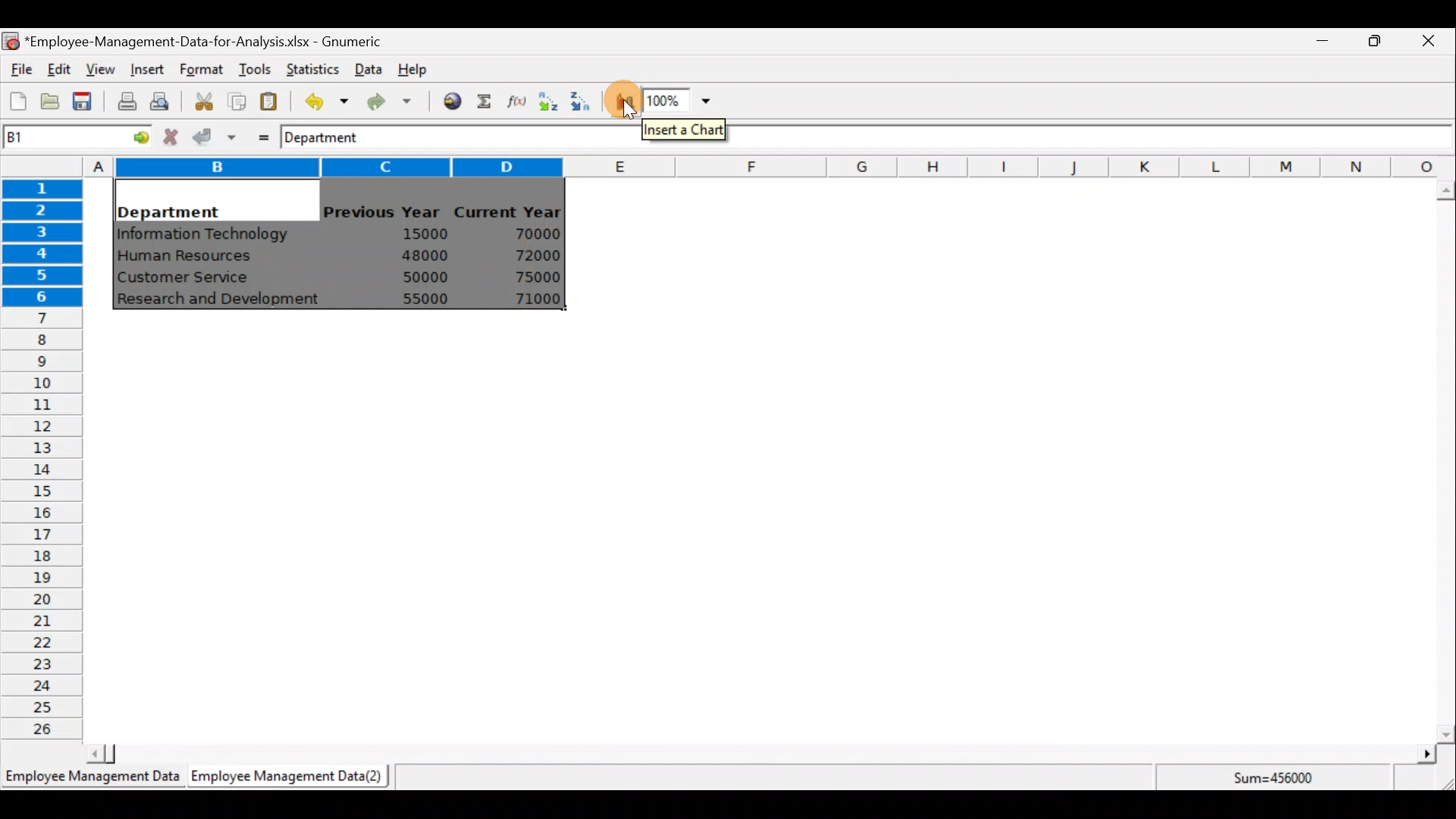 This screenshot has width=1456, height=819. Describe the element at coordinates (208, 40) in the screenshot. I see `‘Employee-Management-Data-for-Analysis.xlsx - Gnumeric` at that location.